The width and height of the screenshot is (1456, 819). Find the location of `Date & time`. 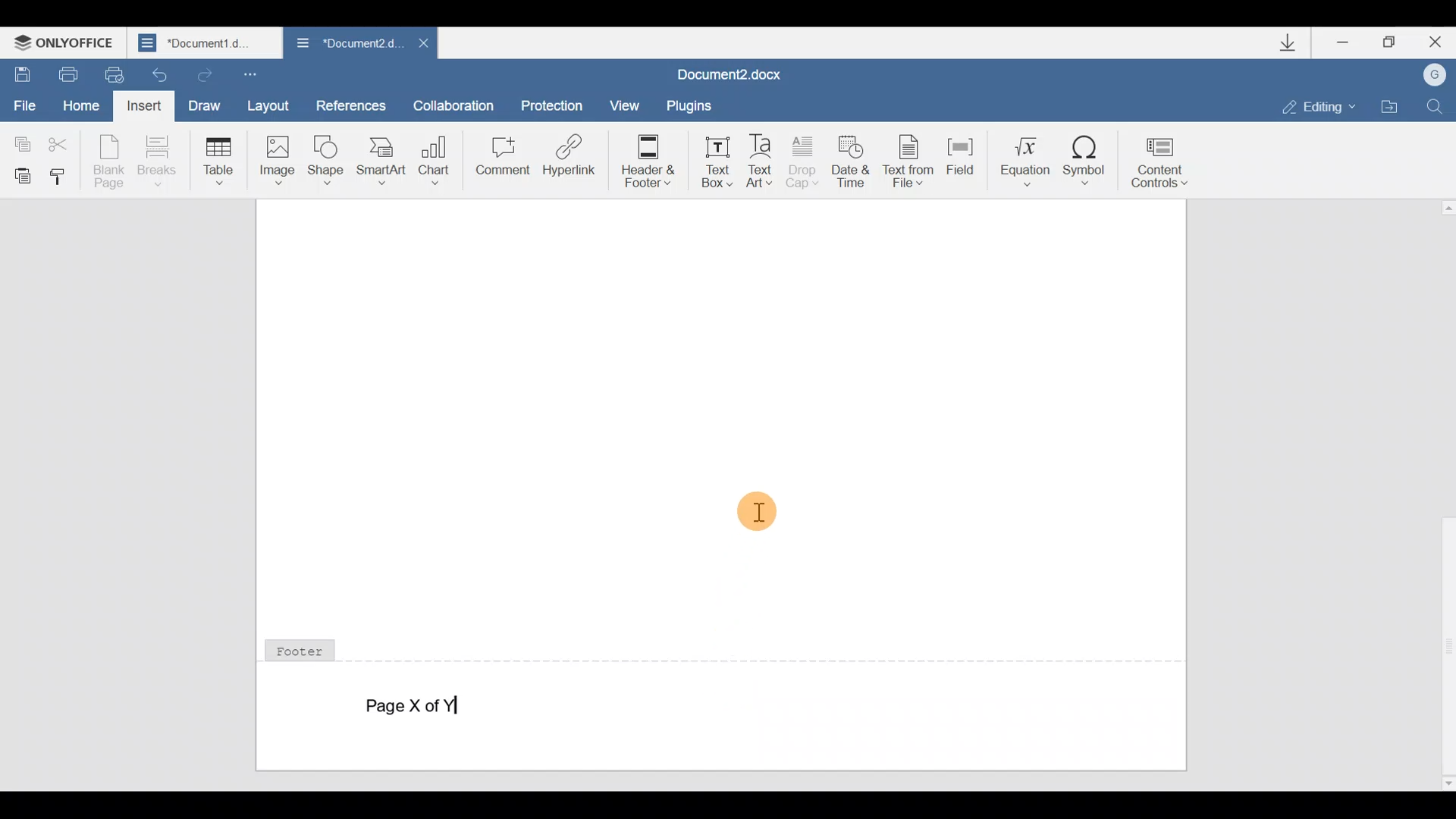

Date & time is located at coordinates (851, 158).